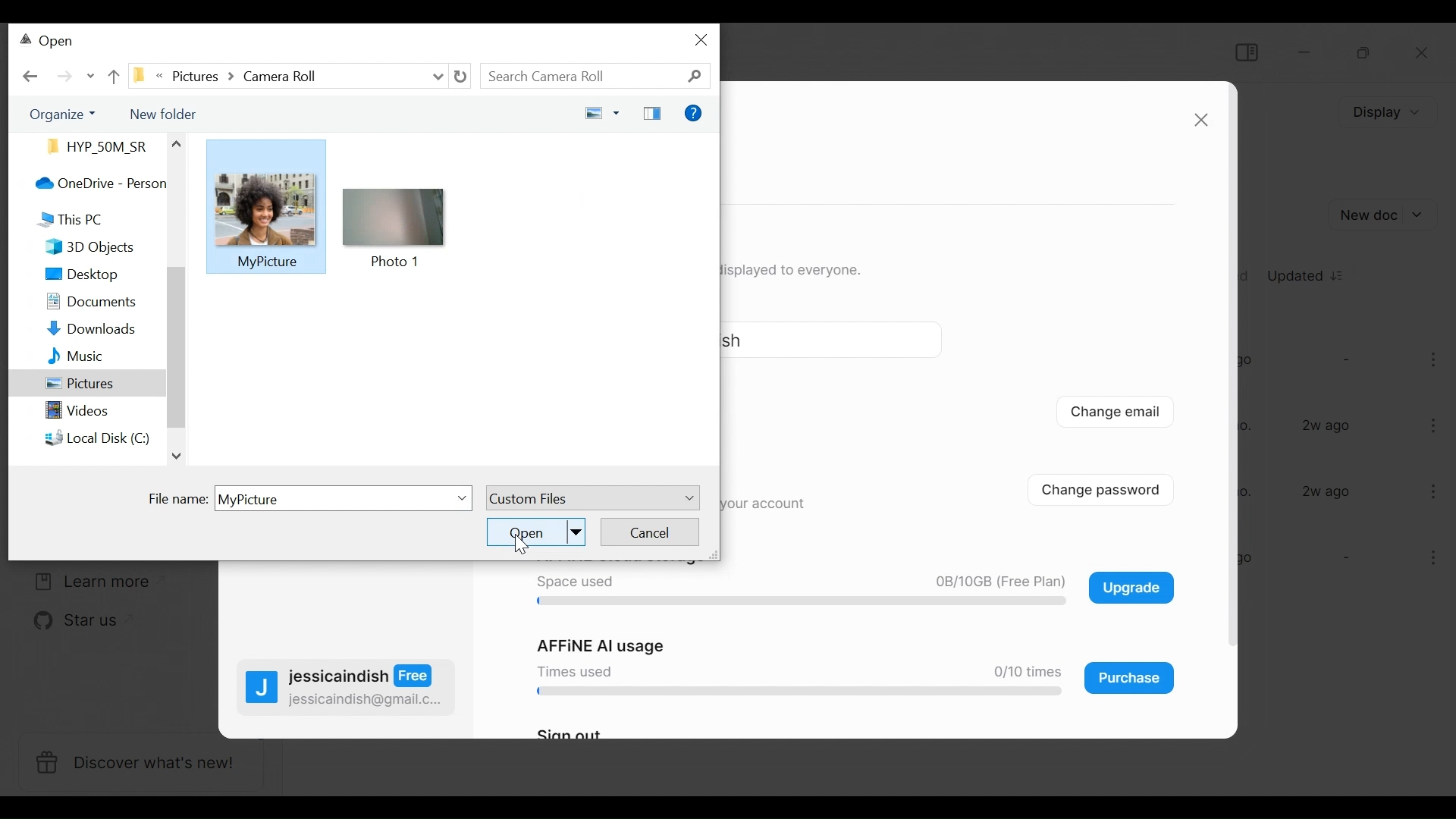 This screenshot has height=819, width=1456. I want to click on My picture, so click(268, 262).